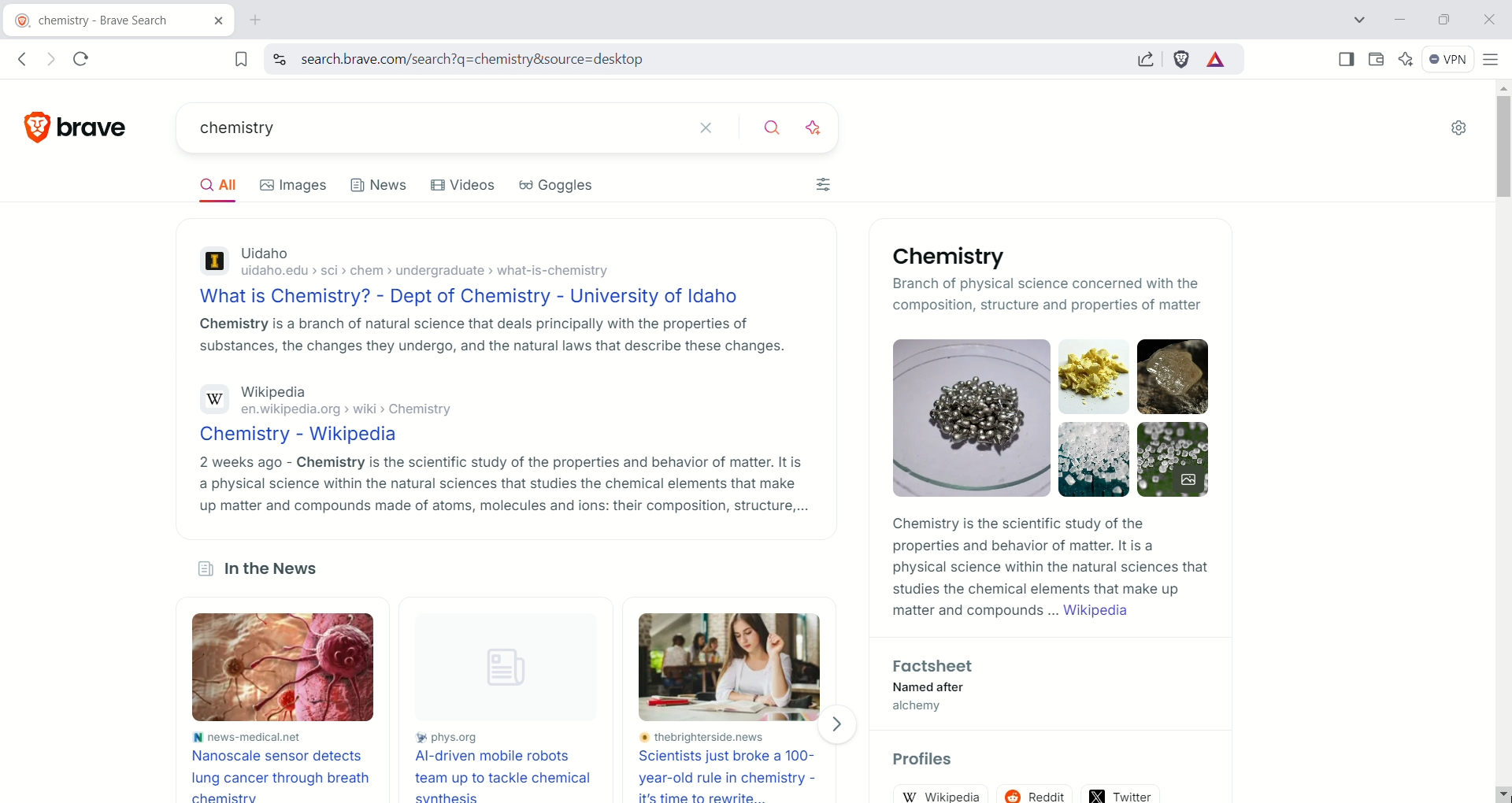 Image resolution: width=1512 pixels, height=803 pixels. Describe the element at coordinates (1347, 58) in the screenshot. I see `show sidebar` at that location.